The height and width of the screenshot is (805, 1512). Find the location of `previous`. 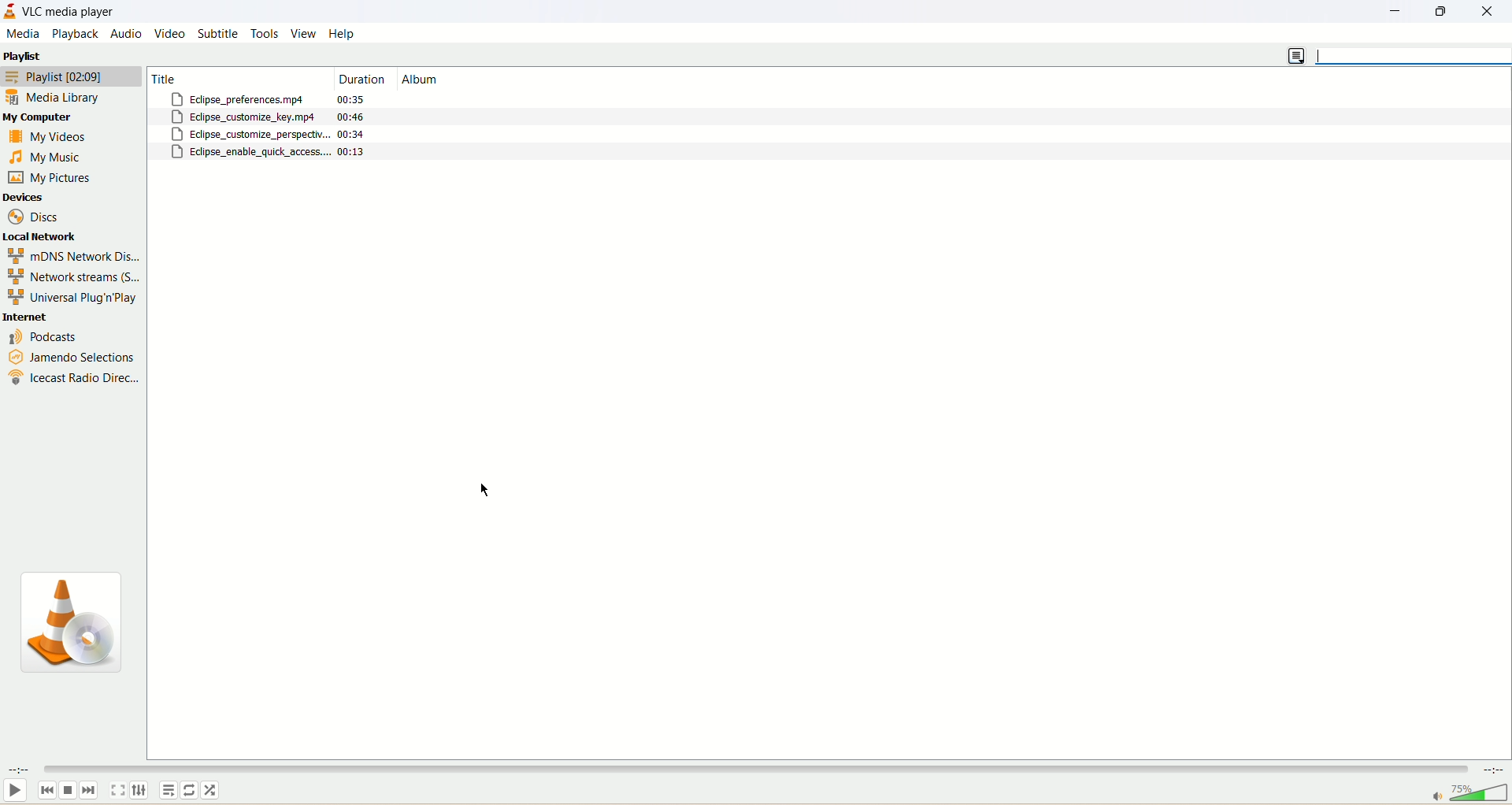

previous is located at coordinates (47, 792).